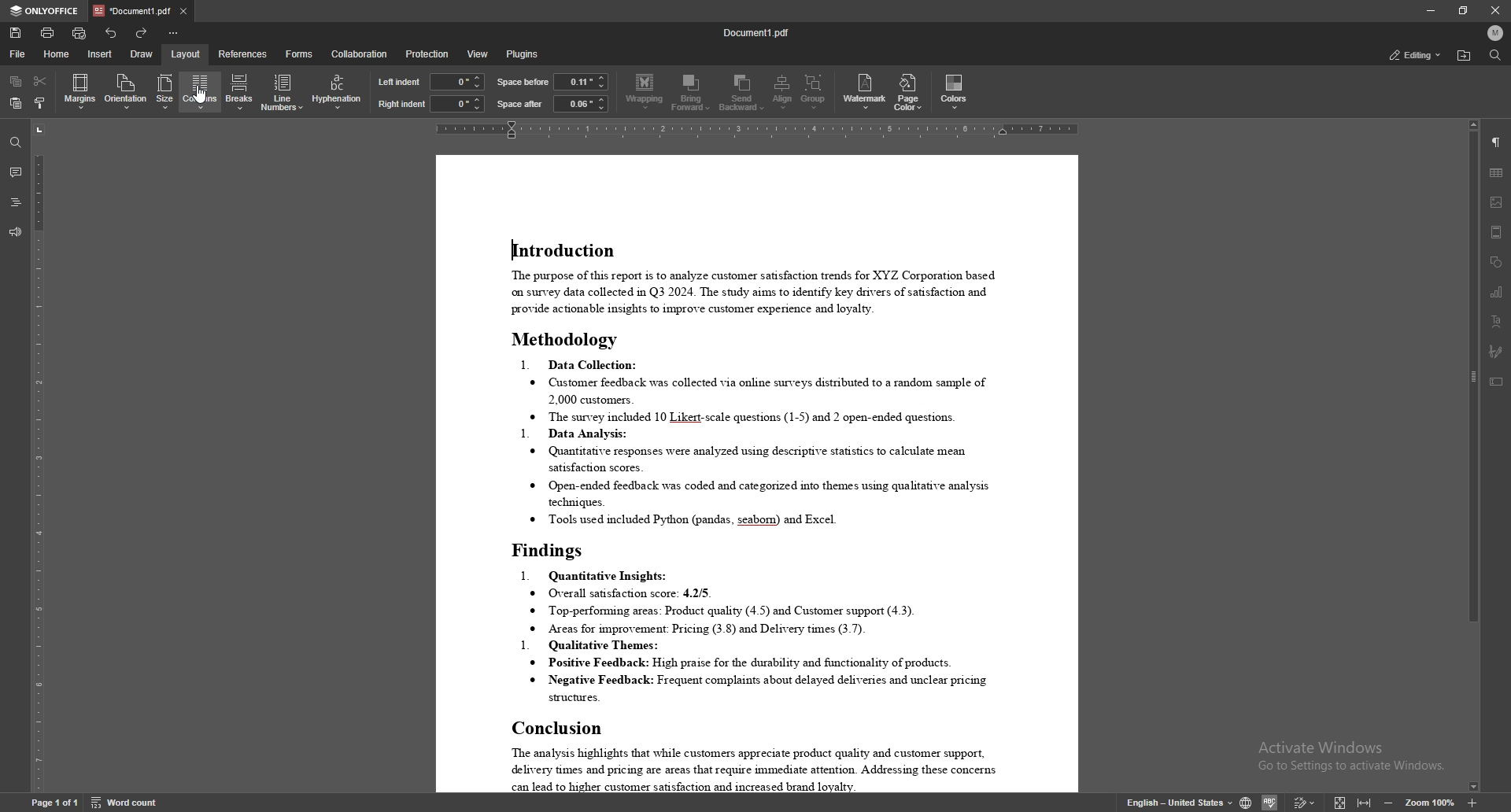  What do you see at coordinates (1347, 758) in the screenshot?
I see `Activate windows` at bounding box center [1347, 758].